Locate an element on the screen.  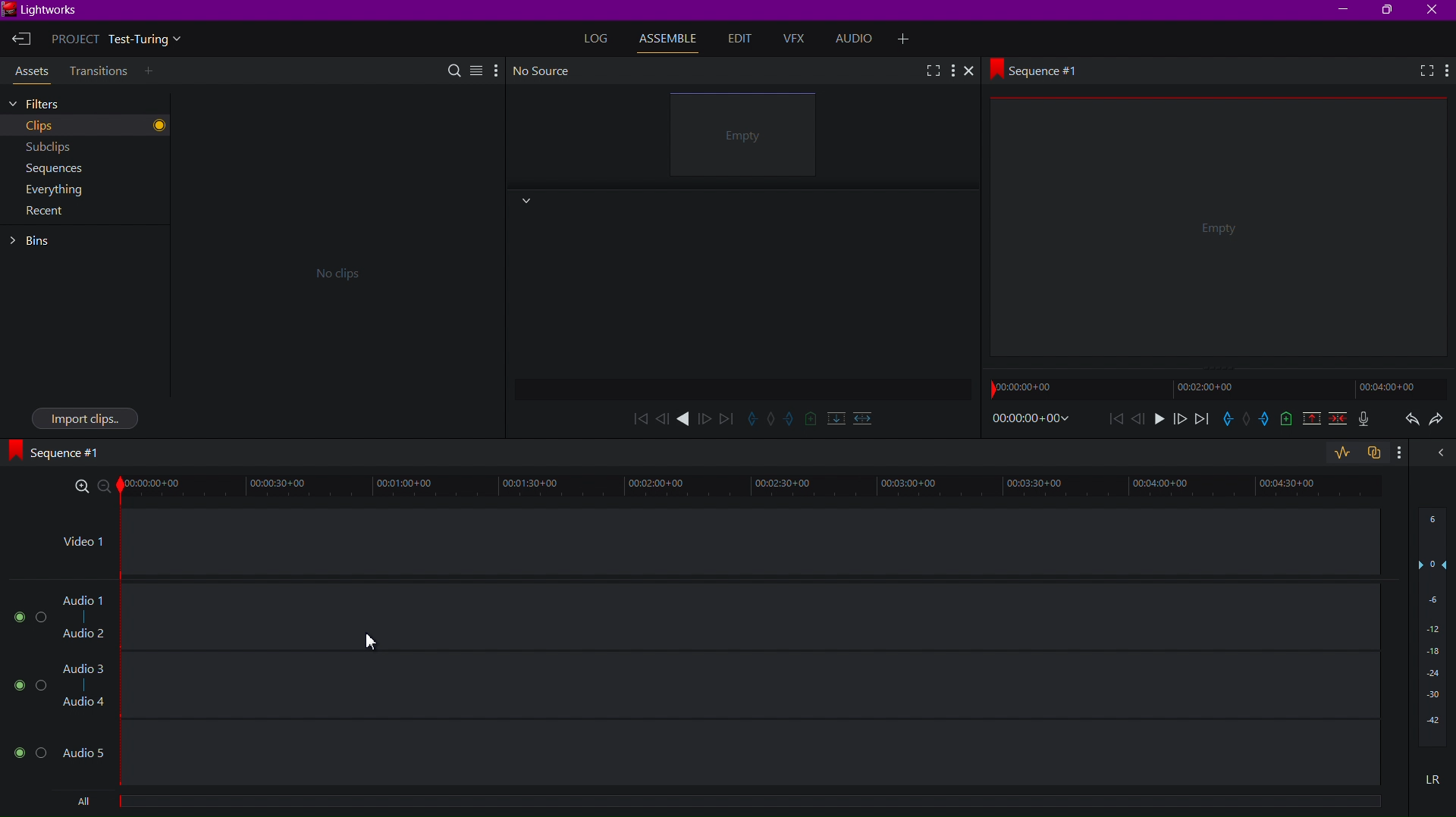
More is located at coordinates (495, 69).